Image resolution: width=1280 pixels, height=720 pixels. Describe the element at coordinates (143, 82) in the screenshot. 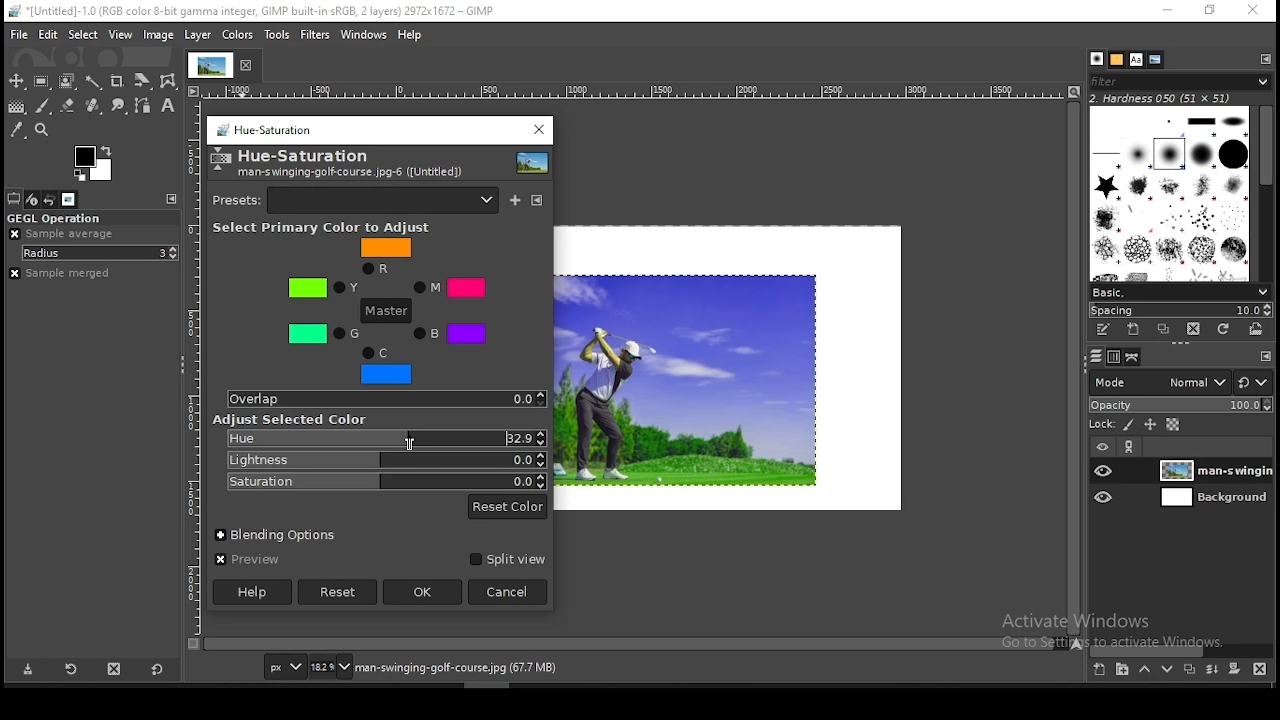

I see `crop tool` at that location.